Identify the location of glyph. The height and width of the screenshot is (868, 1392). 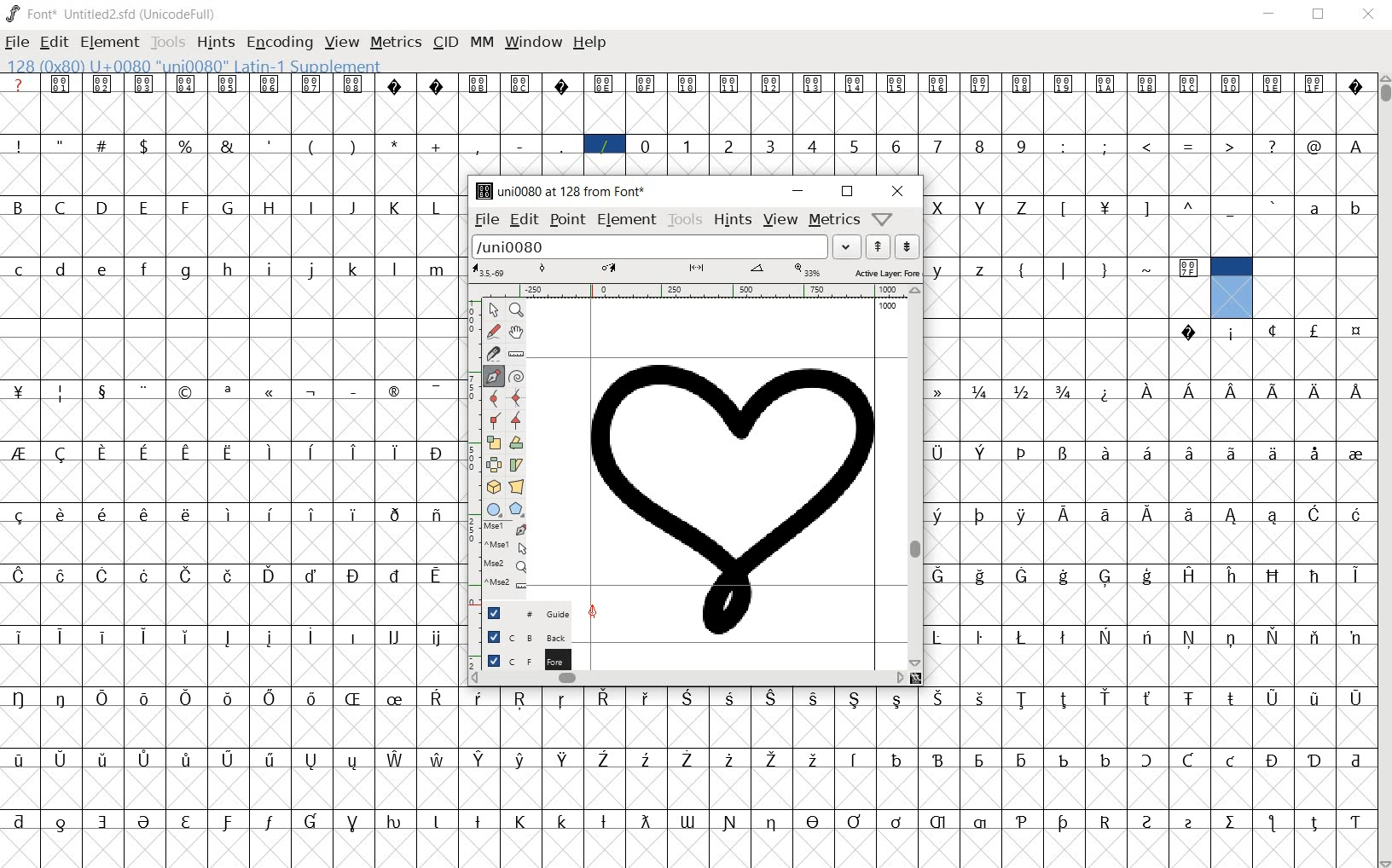
(1147, 698).